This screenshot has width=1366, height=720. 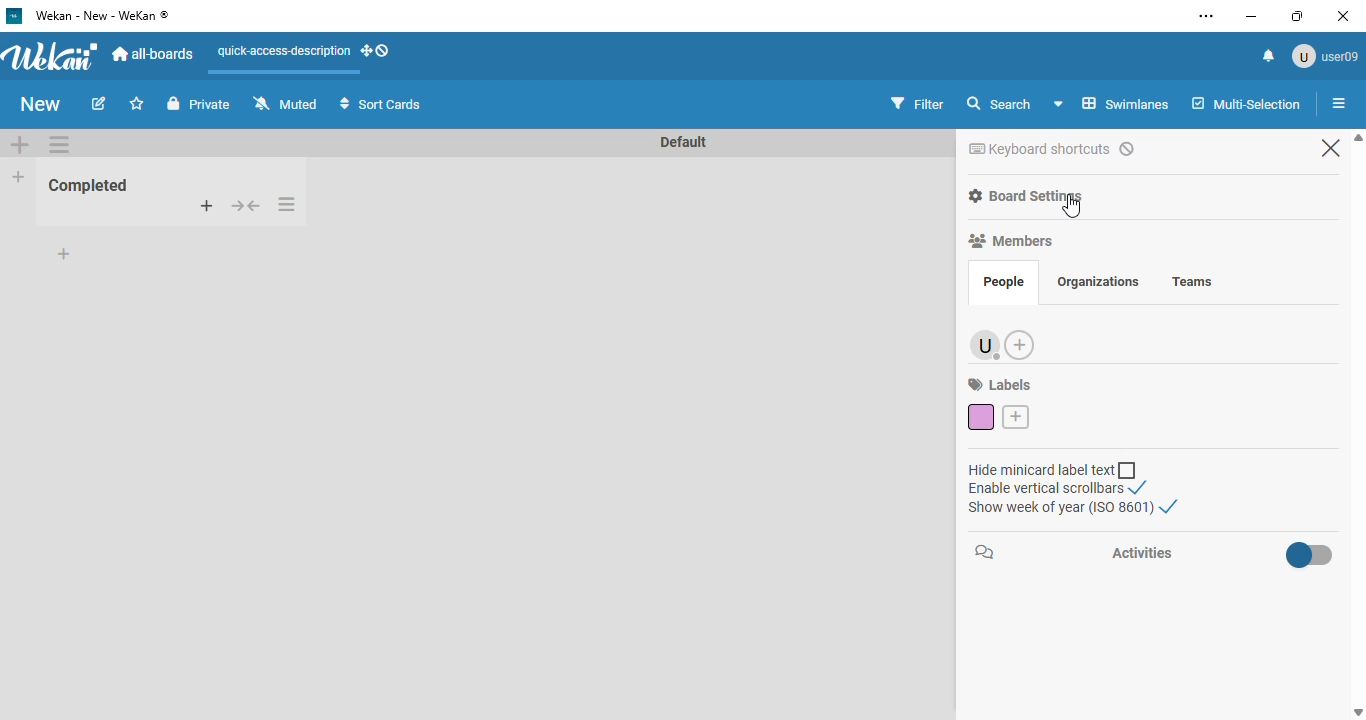 I want to click on maximize, so click(x=1299, y=14).